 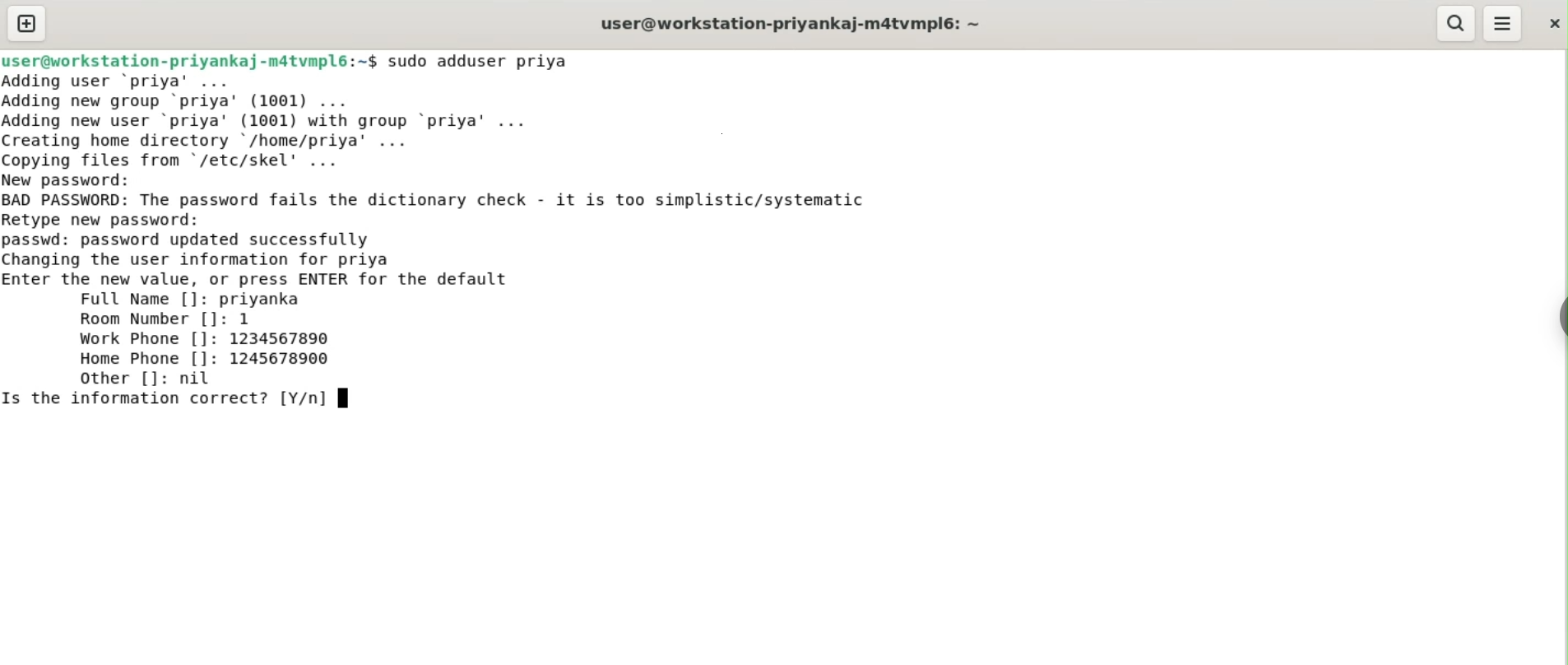 What do you see at coordinates (206, 358) in the screenshot?
I see `Home Phone []: 1245678900` at bounding box center [206, 358].